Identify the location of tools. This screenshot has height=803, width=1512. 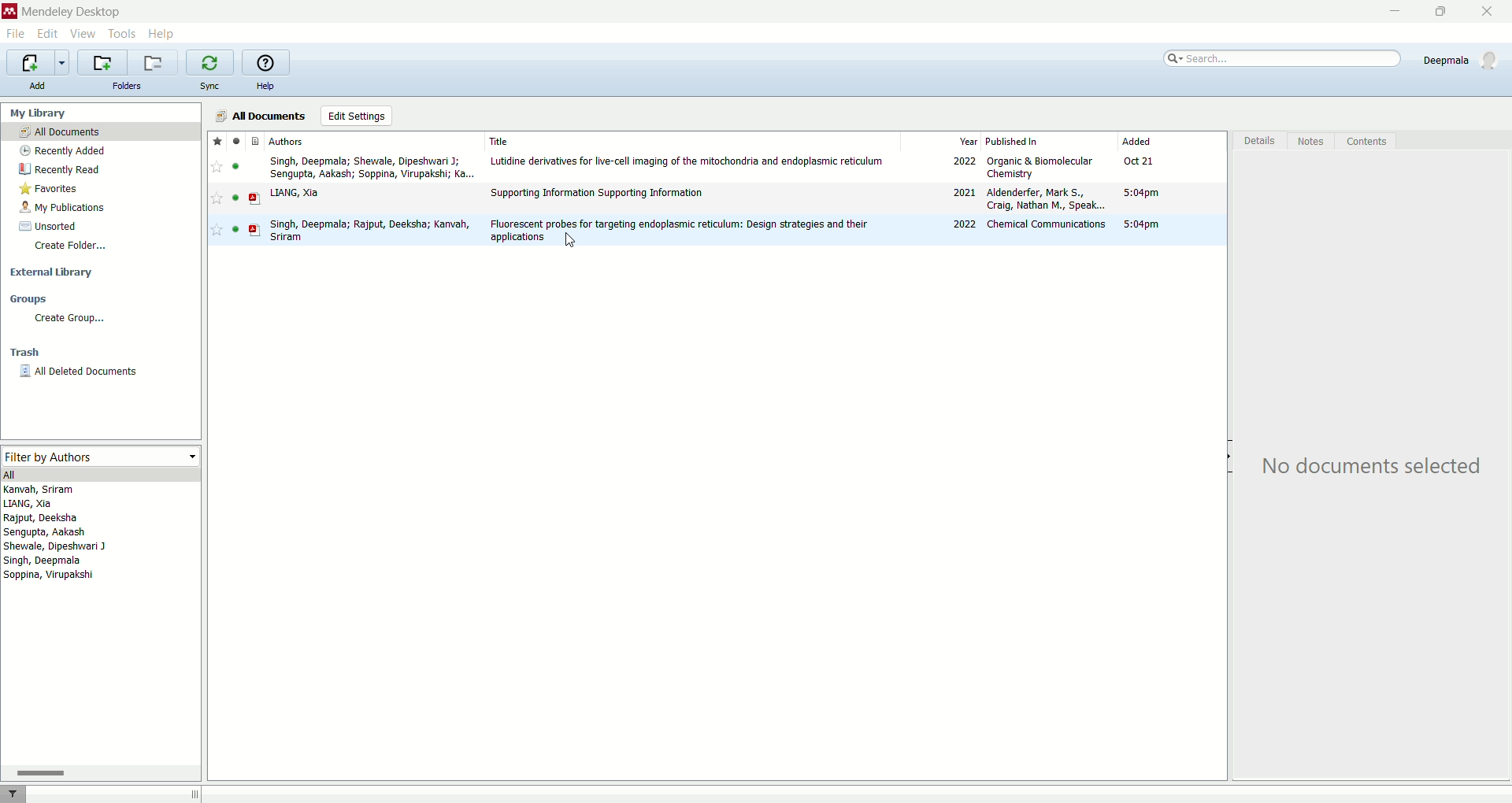
(124, 35).